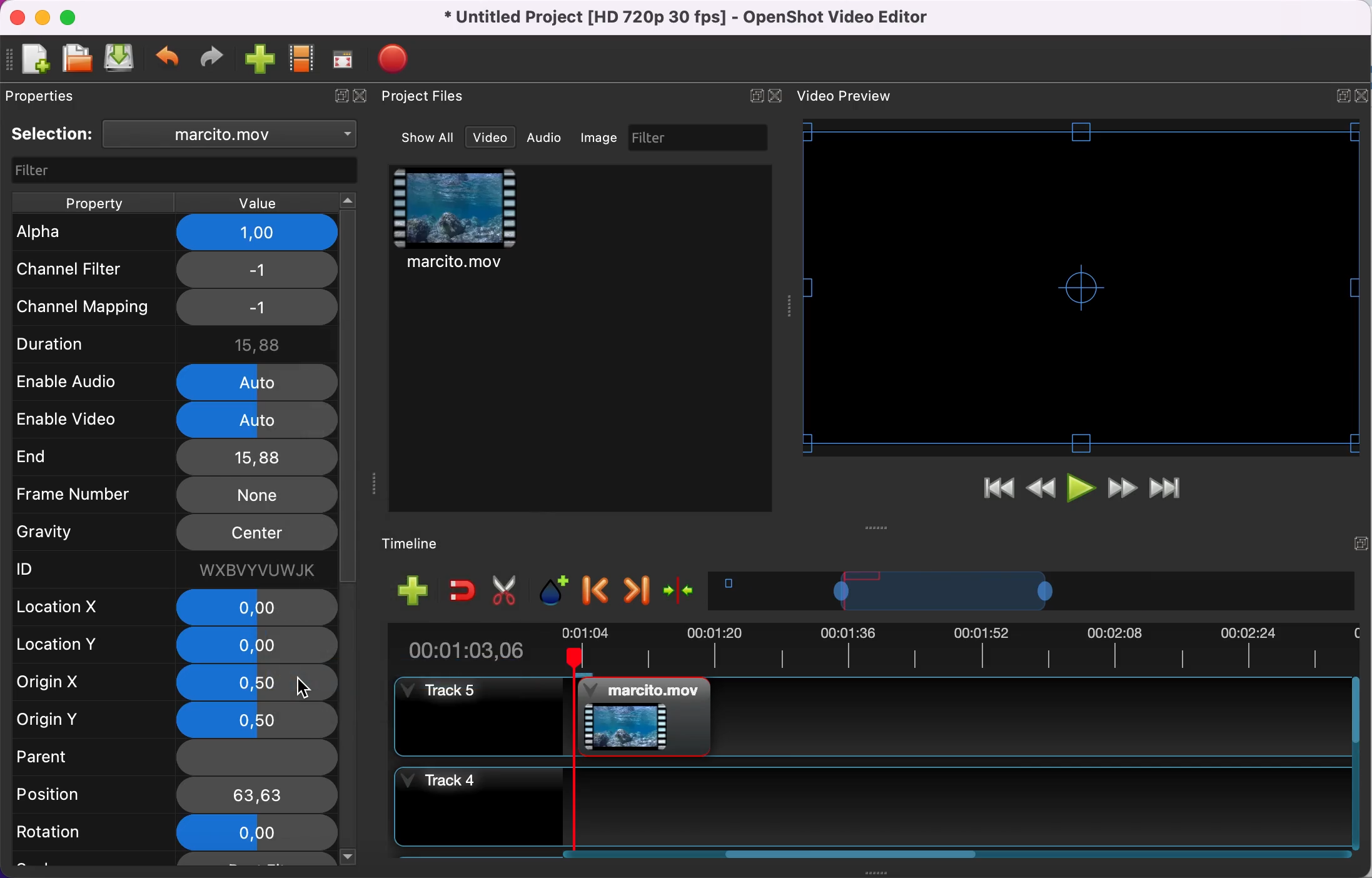 The width and height of the screenshot is (1372, 878). Describe the element at coordinates (338, 97) in the screenshot. I see `expand/hide` at that location.